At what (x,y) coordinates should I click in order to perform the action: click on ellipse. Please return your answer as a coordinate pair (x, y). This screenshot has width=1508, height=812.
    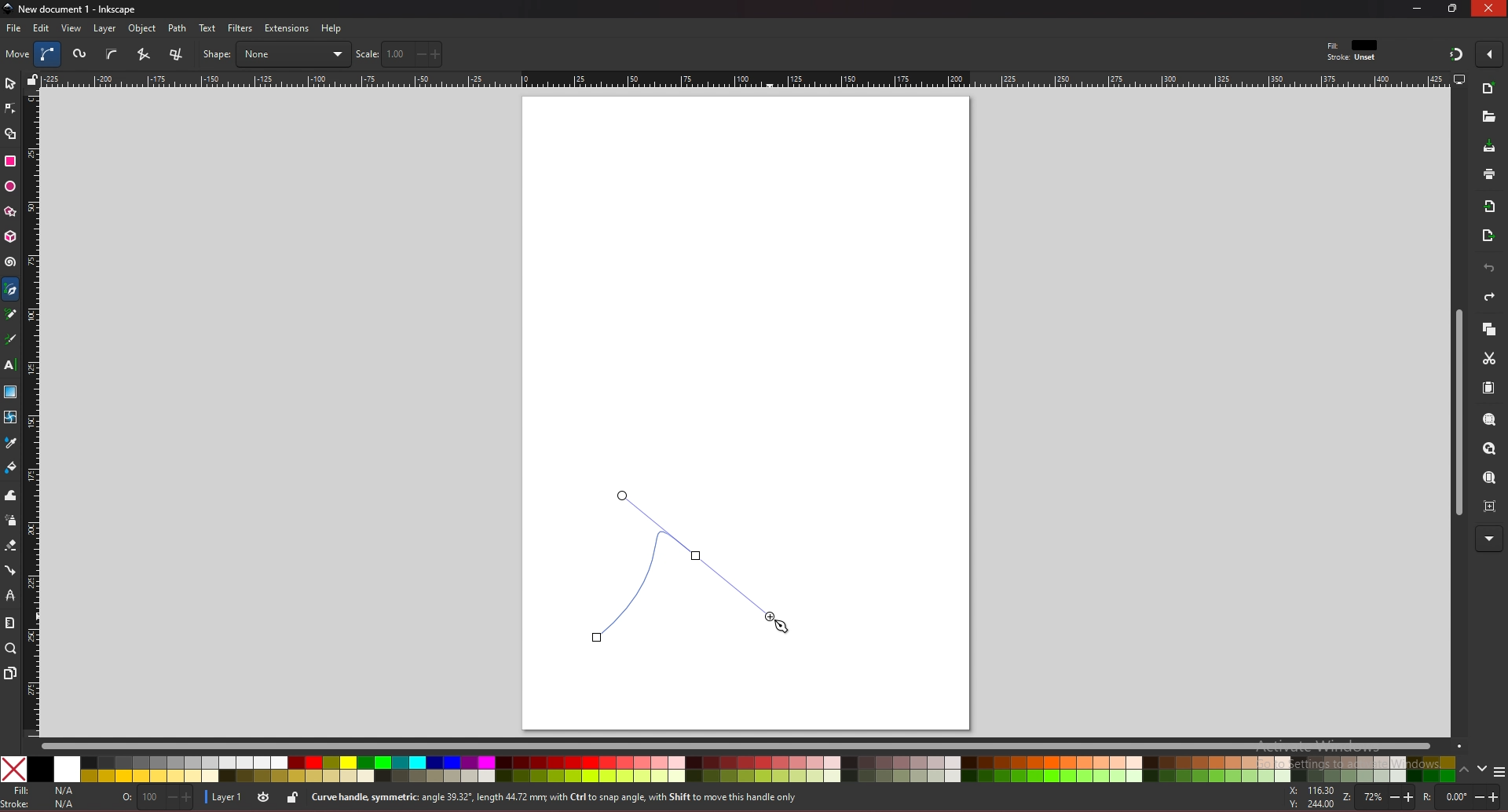
    Looking at the image, I should click on (10, 187).